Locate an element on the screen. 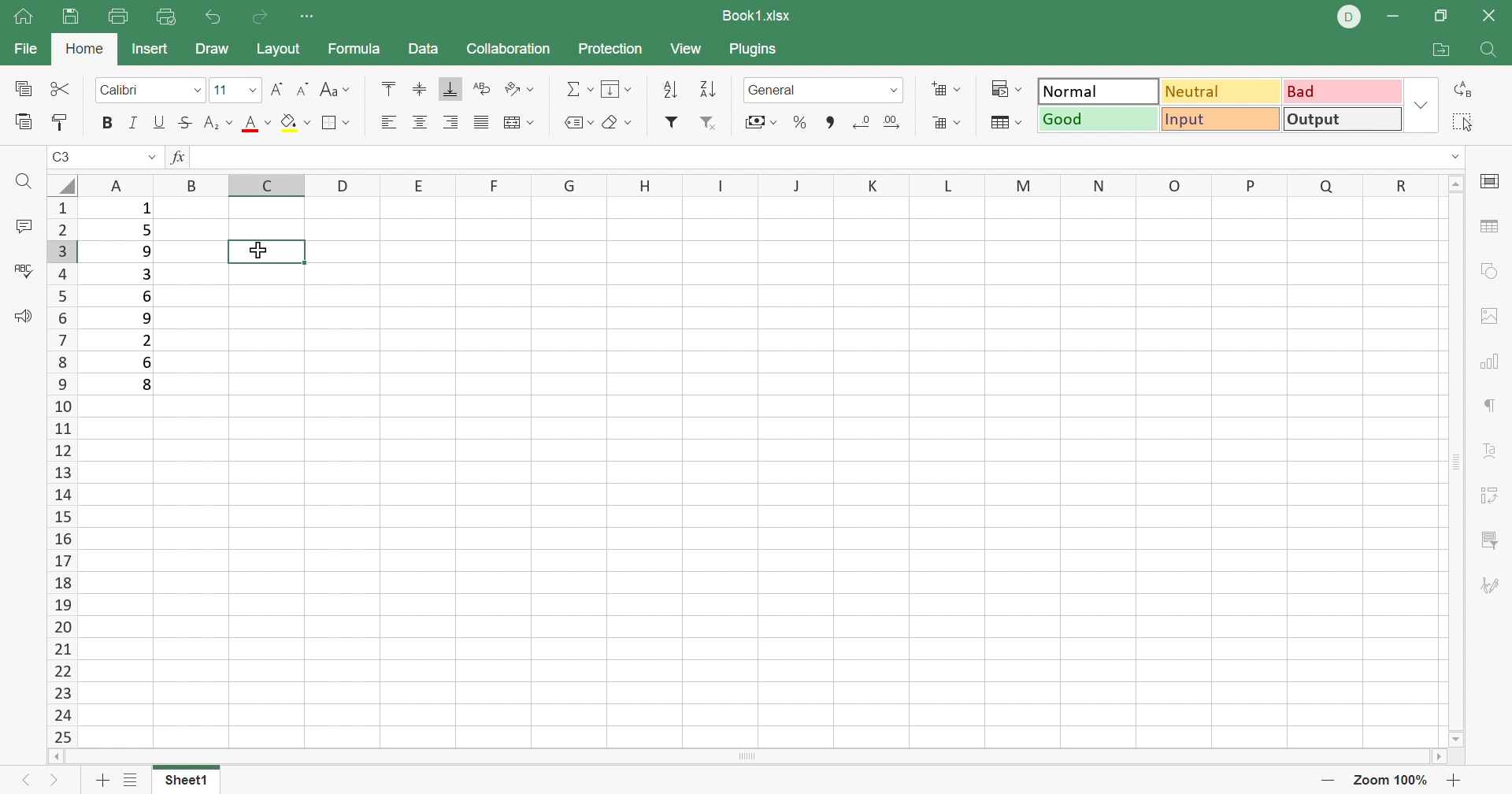 Image resolution: width=1512 pixels, height=794 pixels. Superscript / subscript is located at coordinates (215, 124).